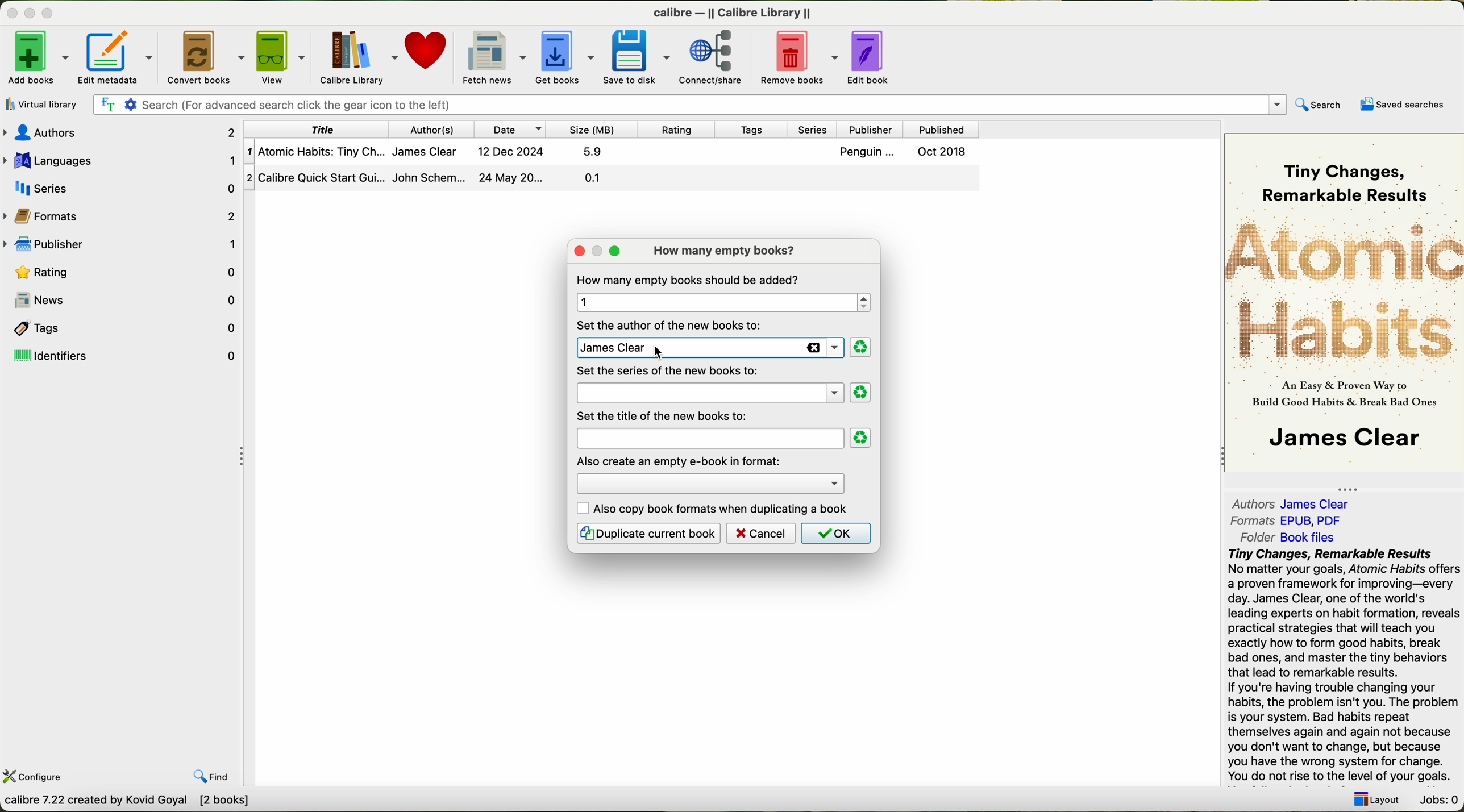 The height and width of the screenshot is (812, 1464). What do you see at coordinates (615, 252) in the screenshot?
I see `maximize` at bounding box center [615, 252].